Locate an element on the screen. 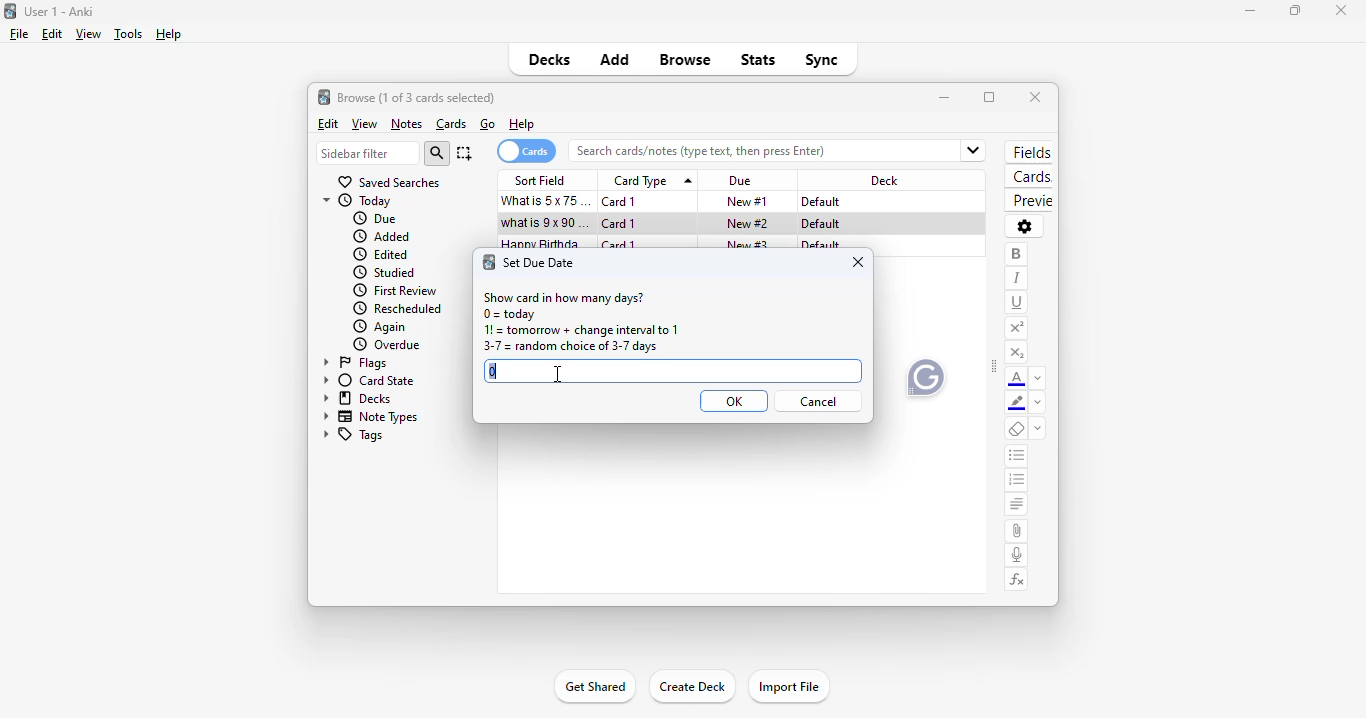 The height and width of the screenshot is (718, 1366). set due date is located at coordinates (540, 263).